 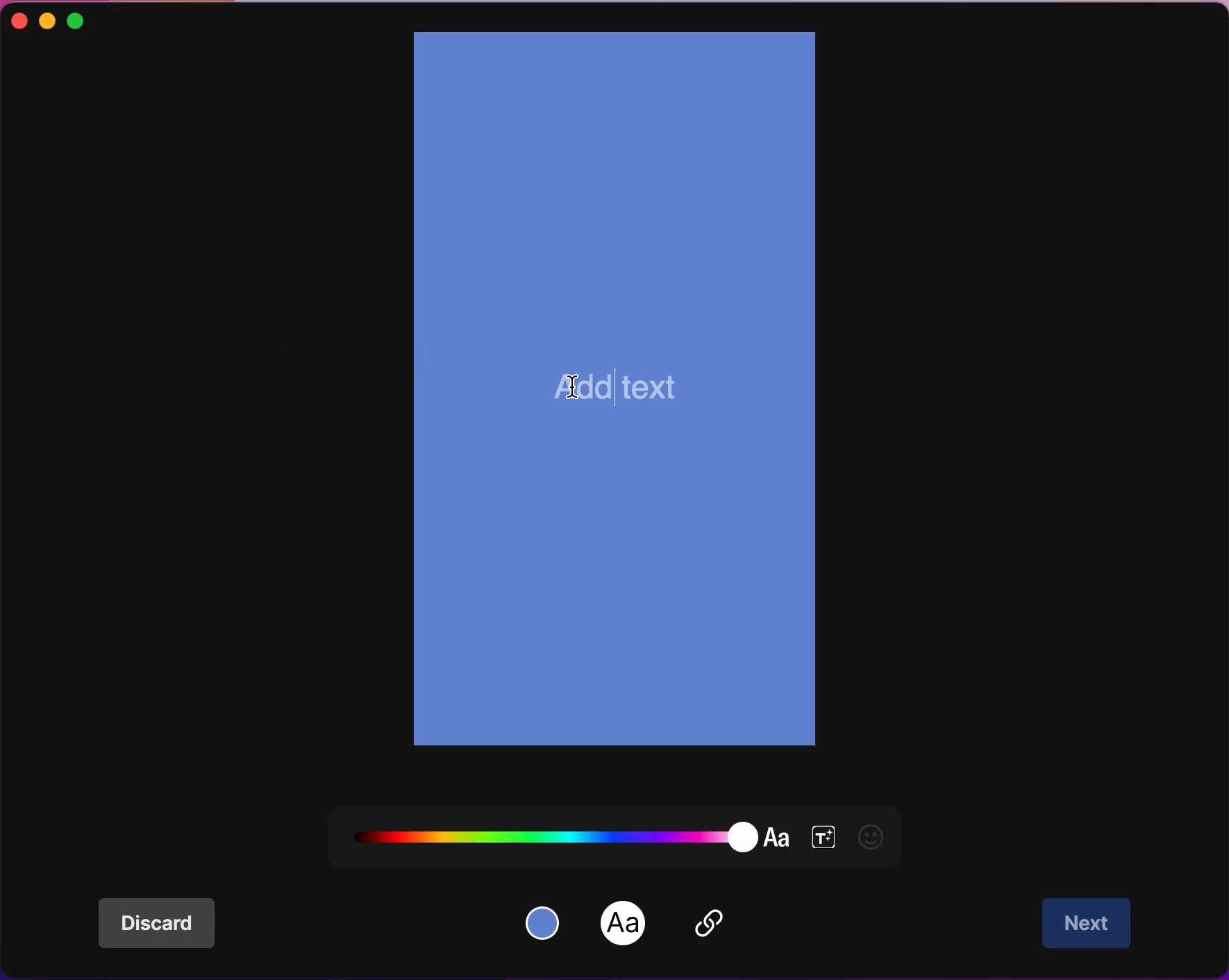 What do you see at coordinates (92, 19) in the screenshot?
I see `maximize` at bounding box center [92, 19].